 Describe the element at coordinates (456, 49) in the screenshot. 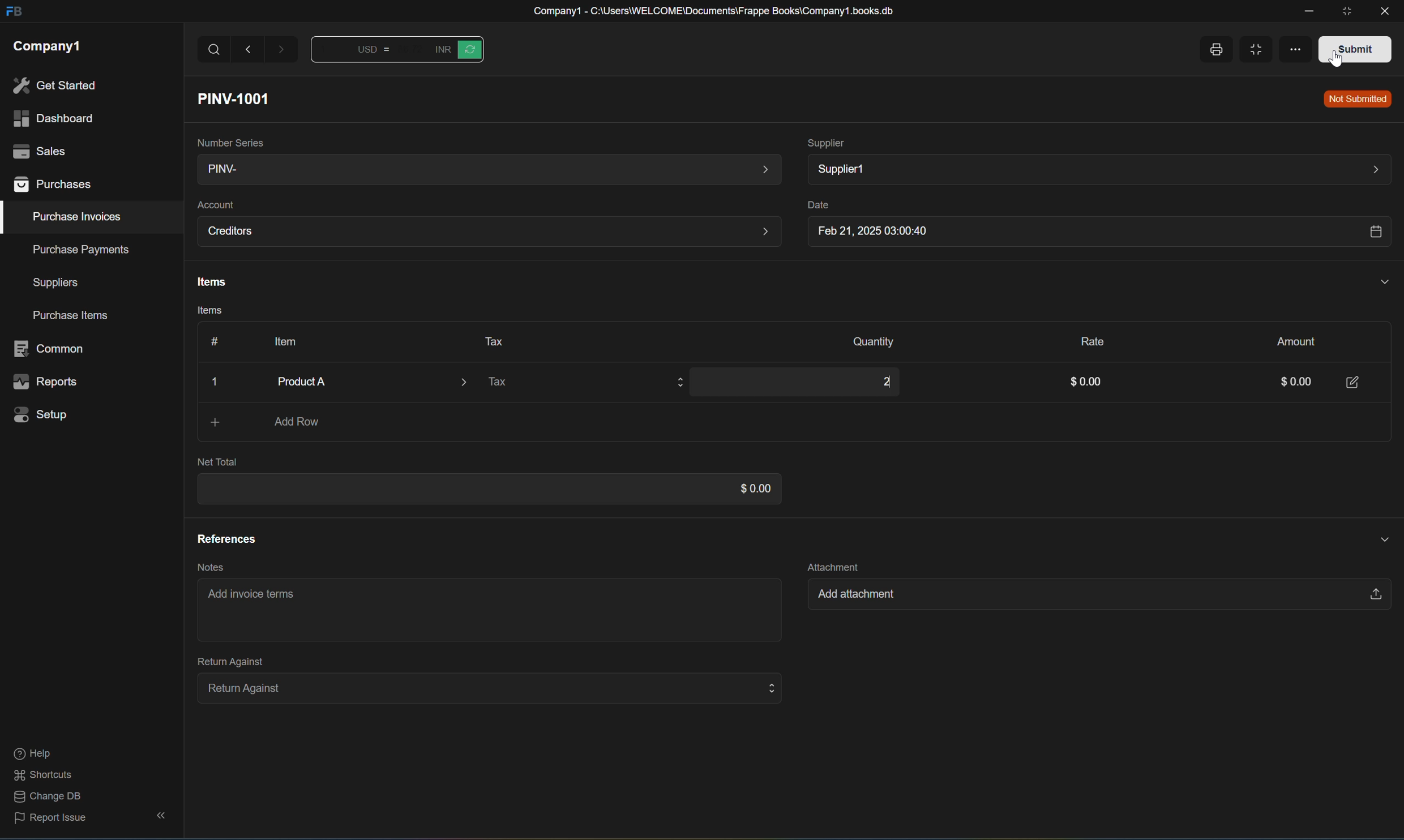

I see `Button` at that location.